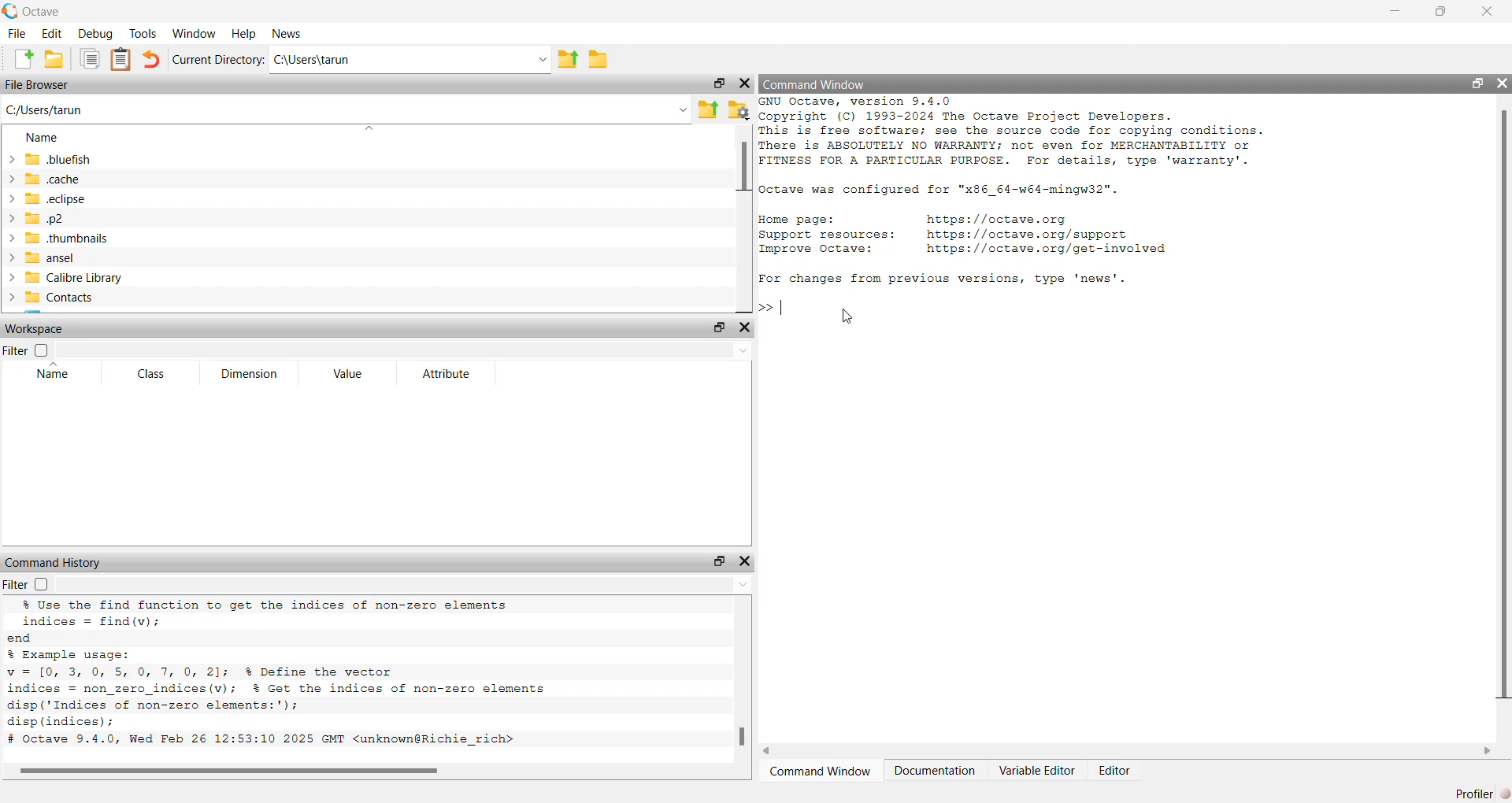 Image resolution: width=1512 pixels, height=803 pixels. I want to click on close, so click(745, 86).